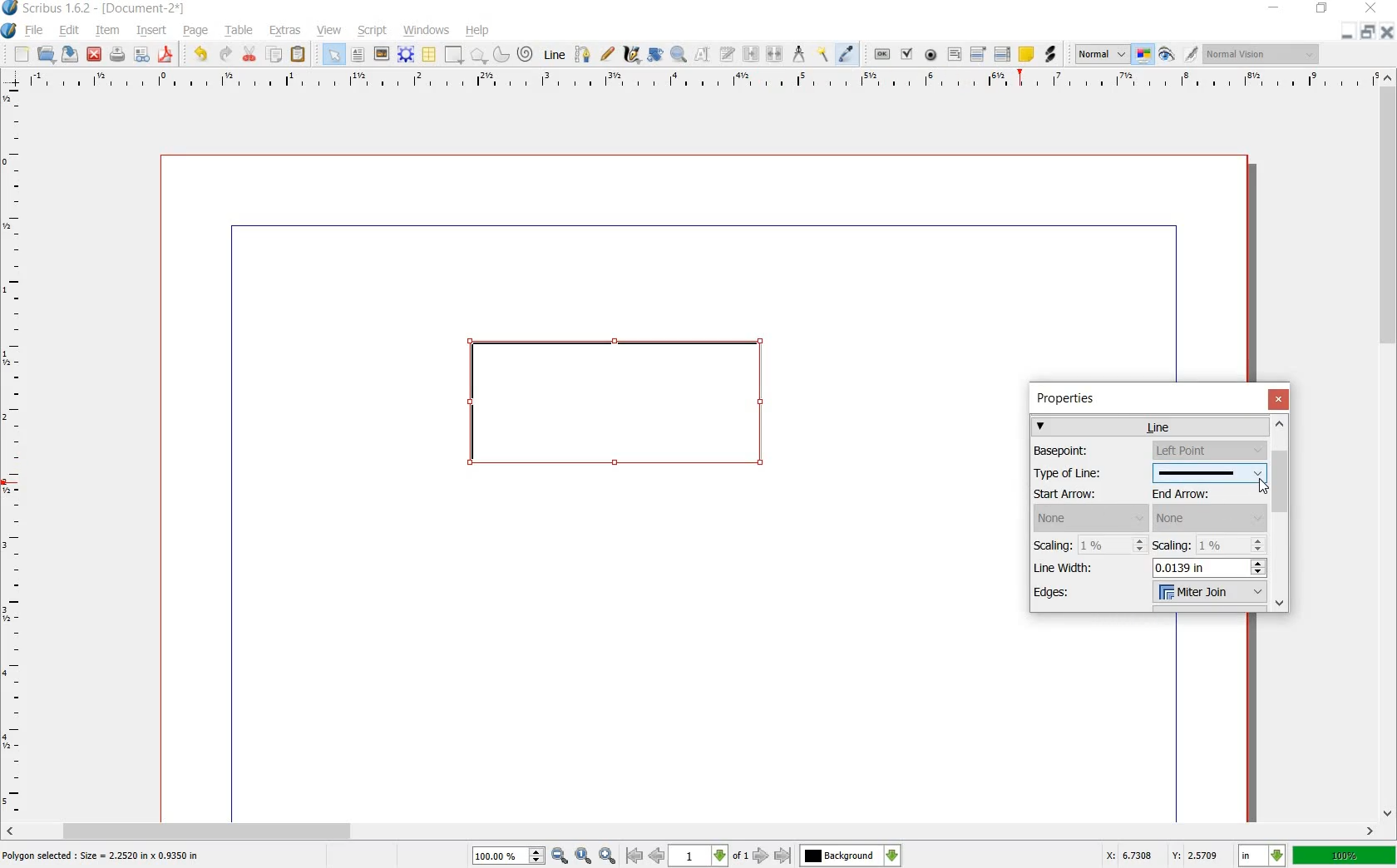 The image size is (1397, 868). What do you see at coordinates (879, 54) in the screenshot?
I see `PDF PUSH BUTTON` at bounding box center [879, 54].